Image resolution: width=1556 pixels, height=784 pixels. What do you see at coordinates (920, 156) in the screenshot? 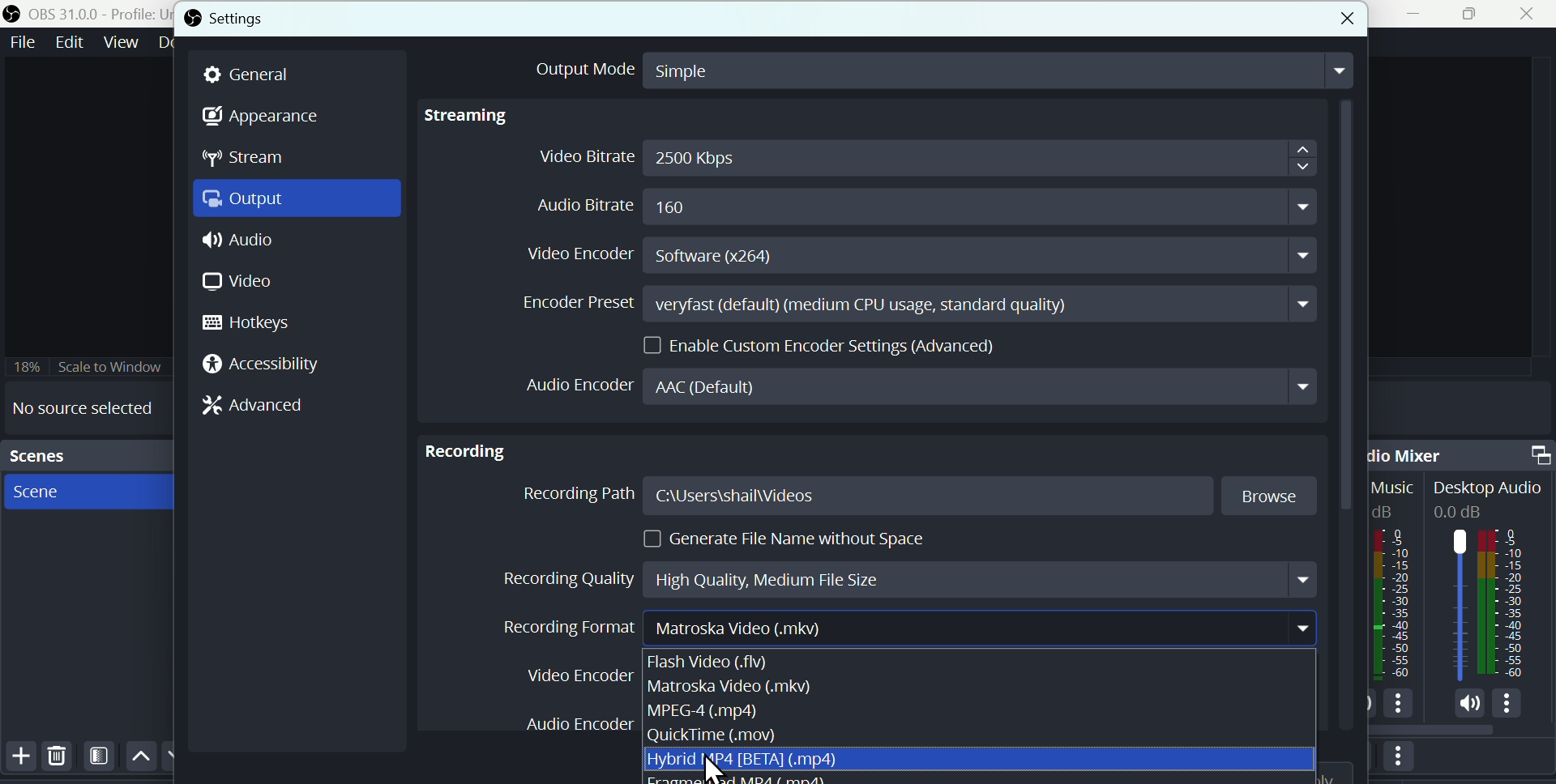
I see `Video bitrate` at bounding box center [920, 156].